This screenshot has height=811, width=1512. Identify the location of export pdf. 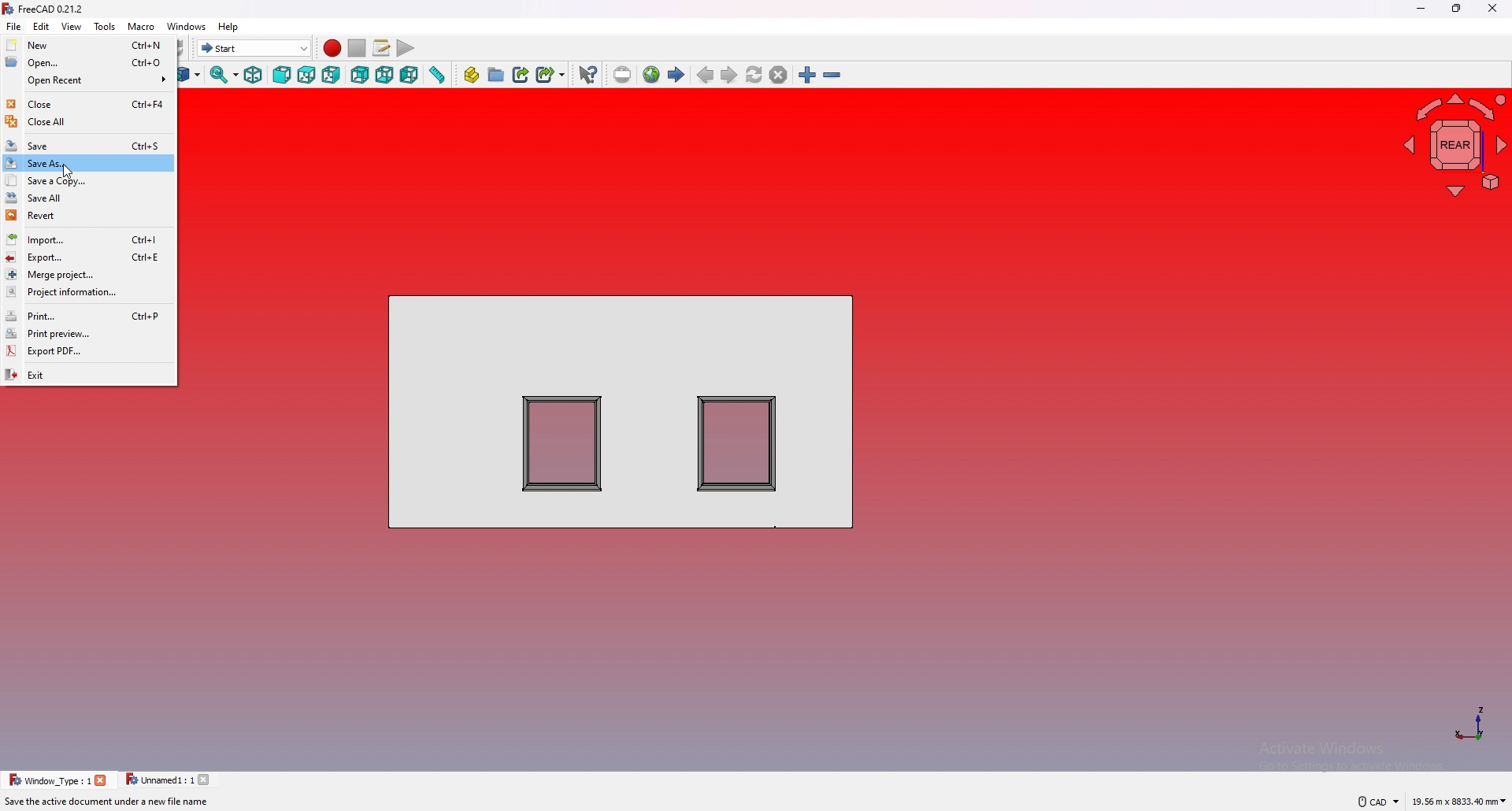
(90, 350).